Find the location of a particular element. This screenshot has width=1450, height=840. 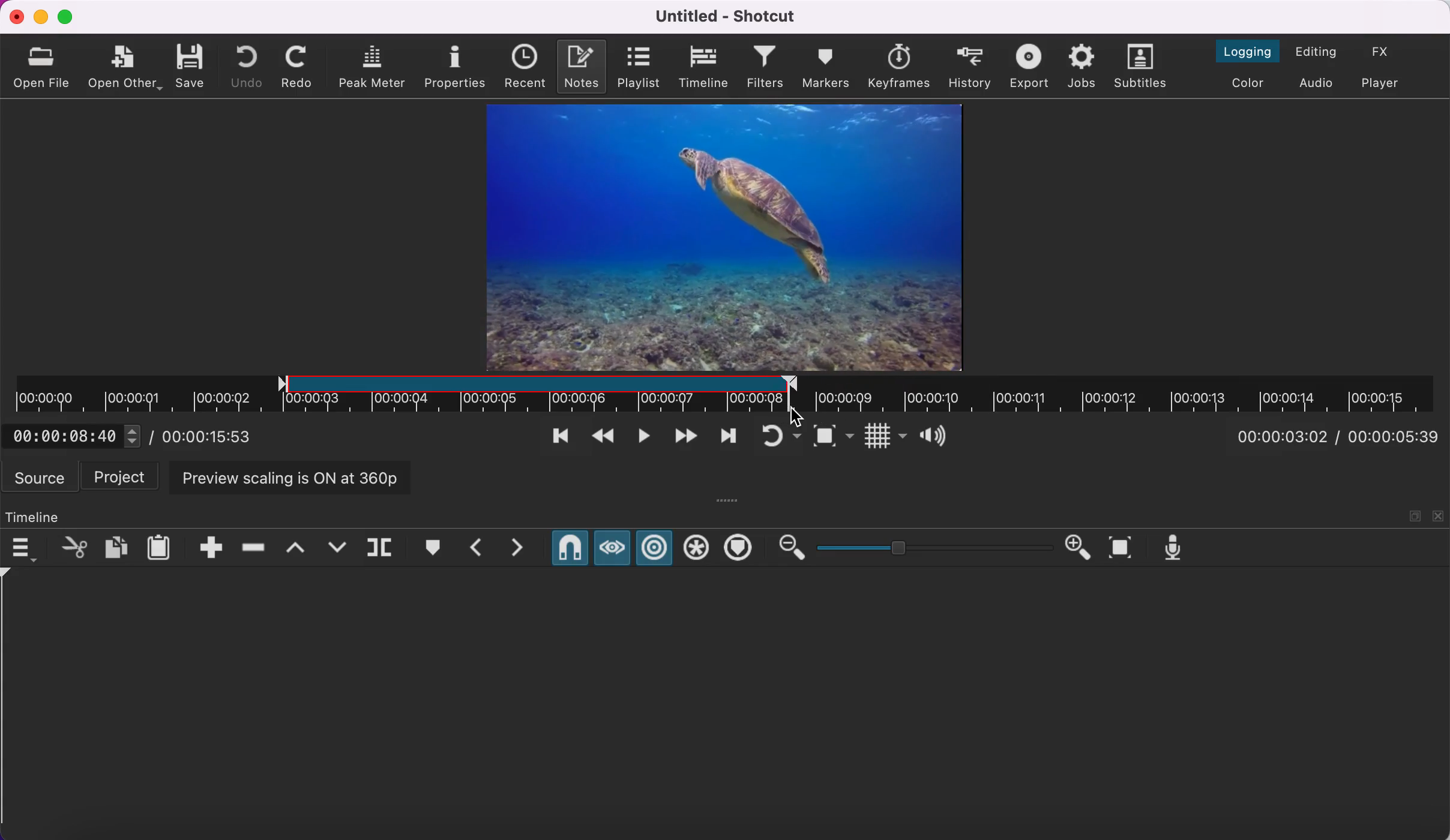

overwrite is located at coordinates (336, 547).